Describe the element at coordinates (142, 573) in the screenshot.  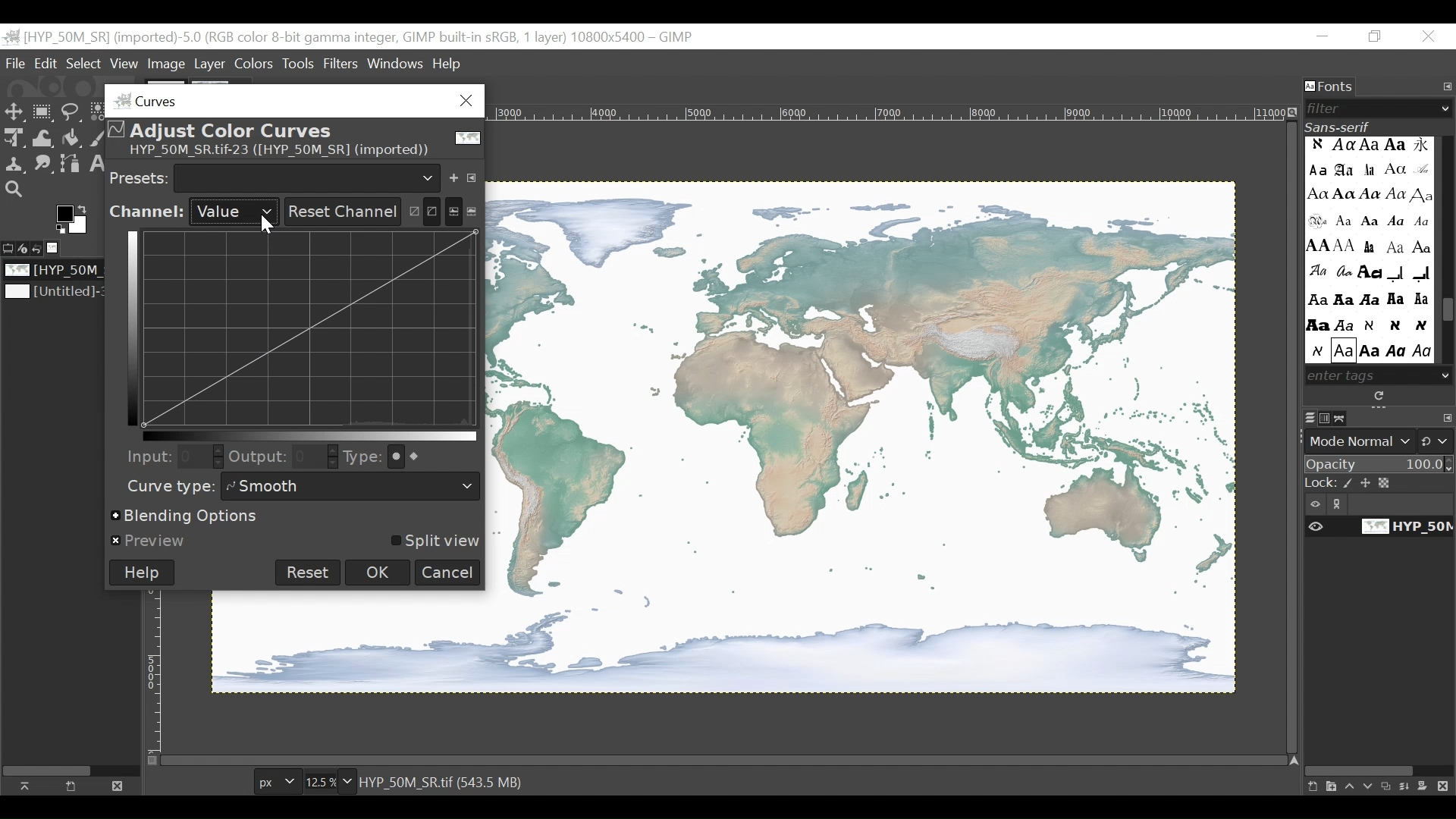
I see `Help` at that location.